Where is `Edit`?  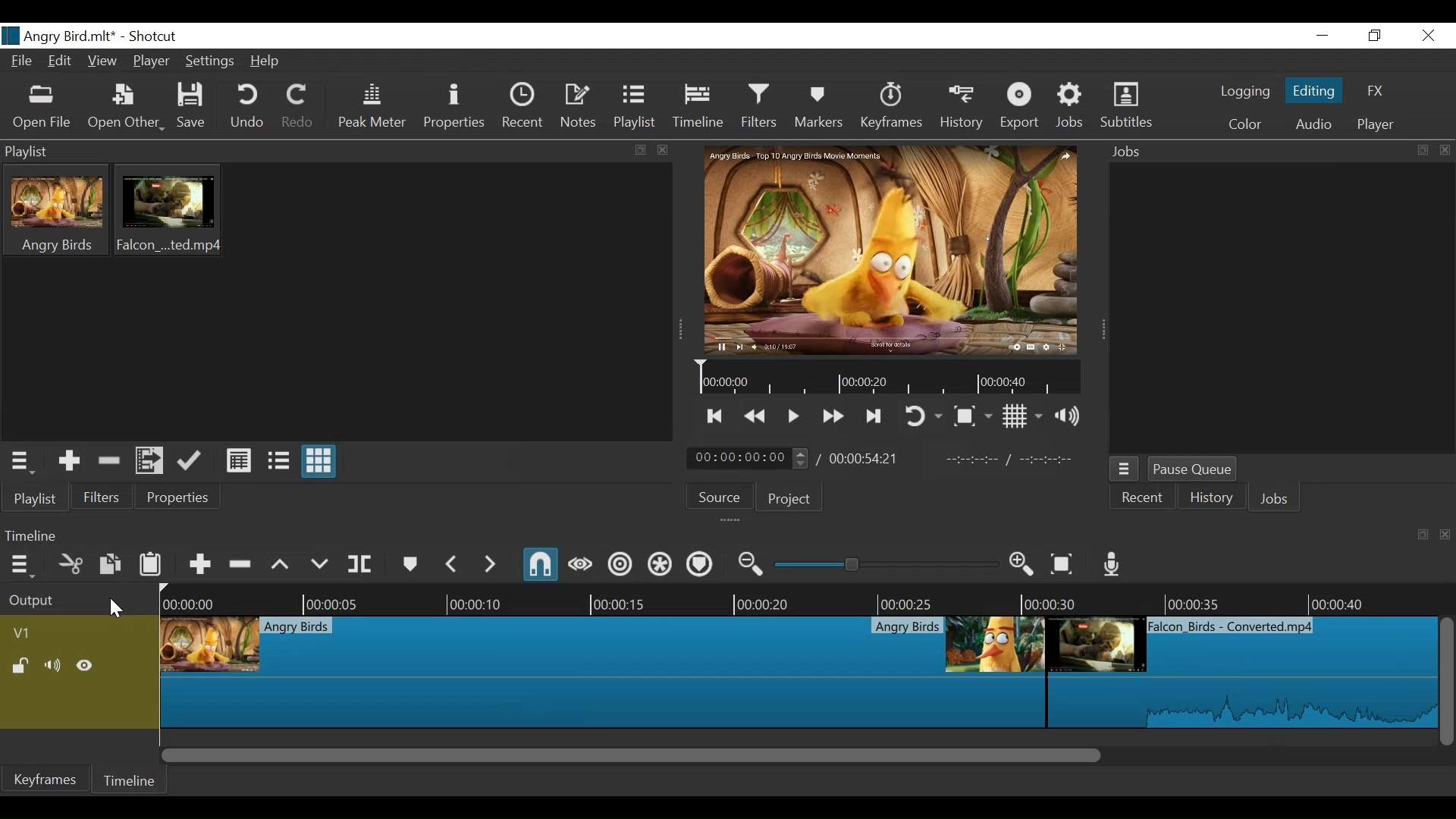 Edit is located at coordinates (61, 62).